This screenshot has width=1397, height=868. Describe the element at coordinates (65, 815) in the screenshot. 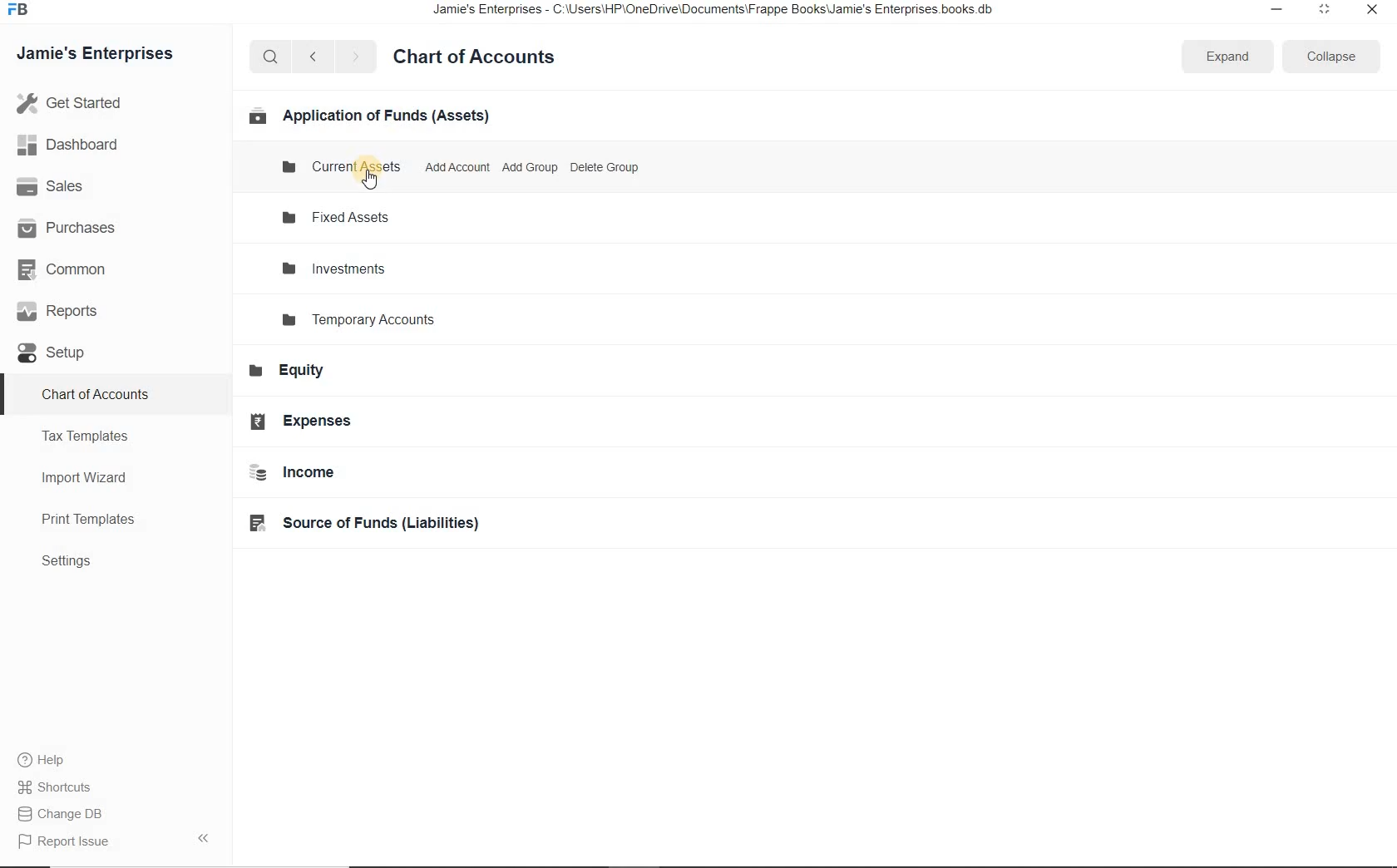

I see `Change DB` at that location.